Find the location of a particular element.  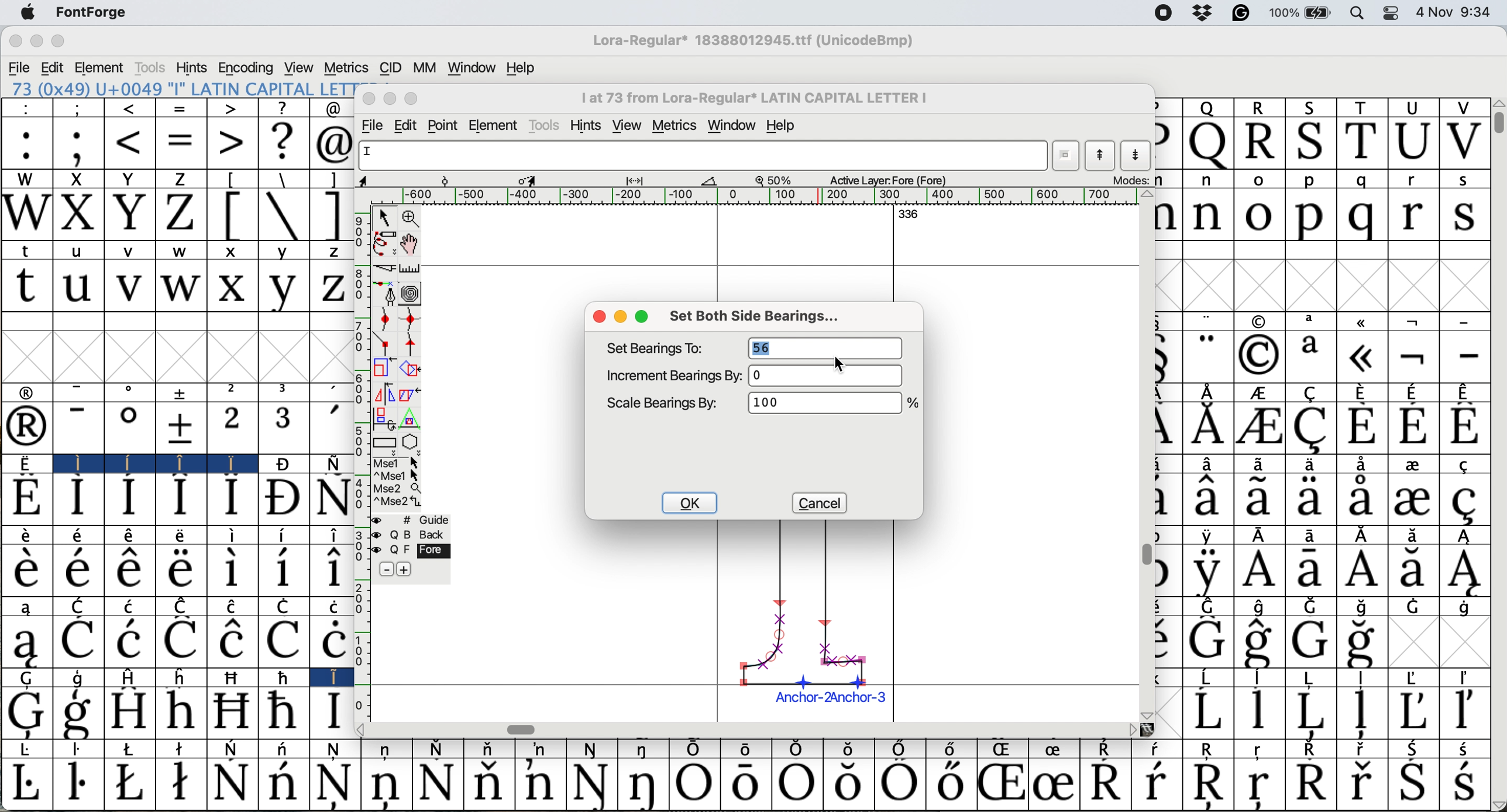

[ is located at coordinates (232, 215).